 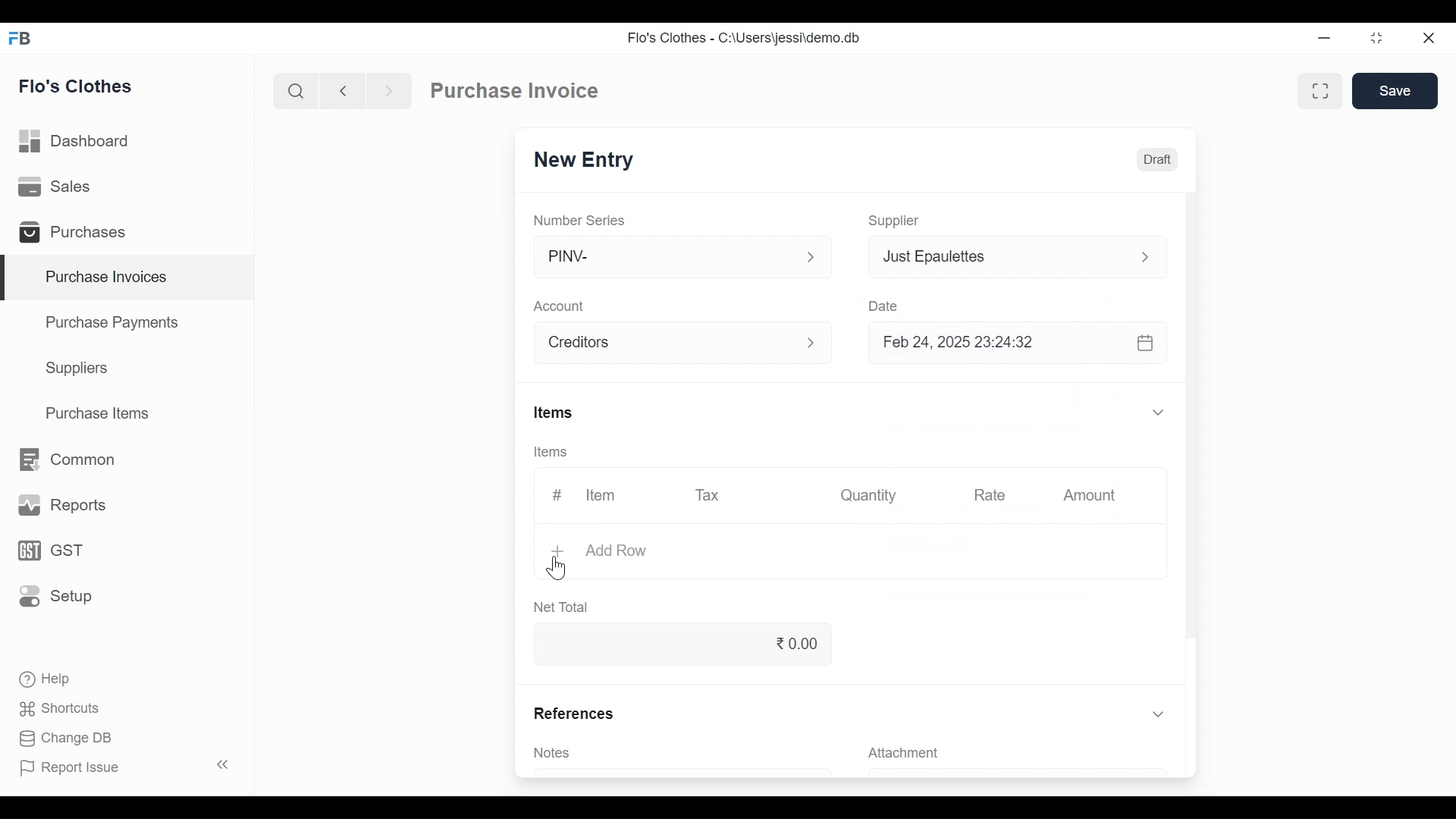 What do you see at coordinates (617, 552) in the screenshot?
I see `Add Row` at bounding box center [617, 552].